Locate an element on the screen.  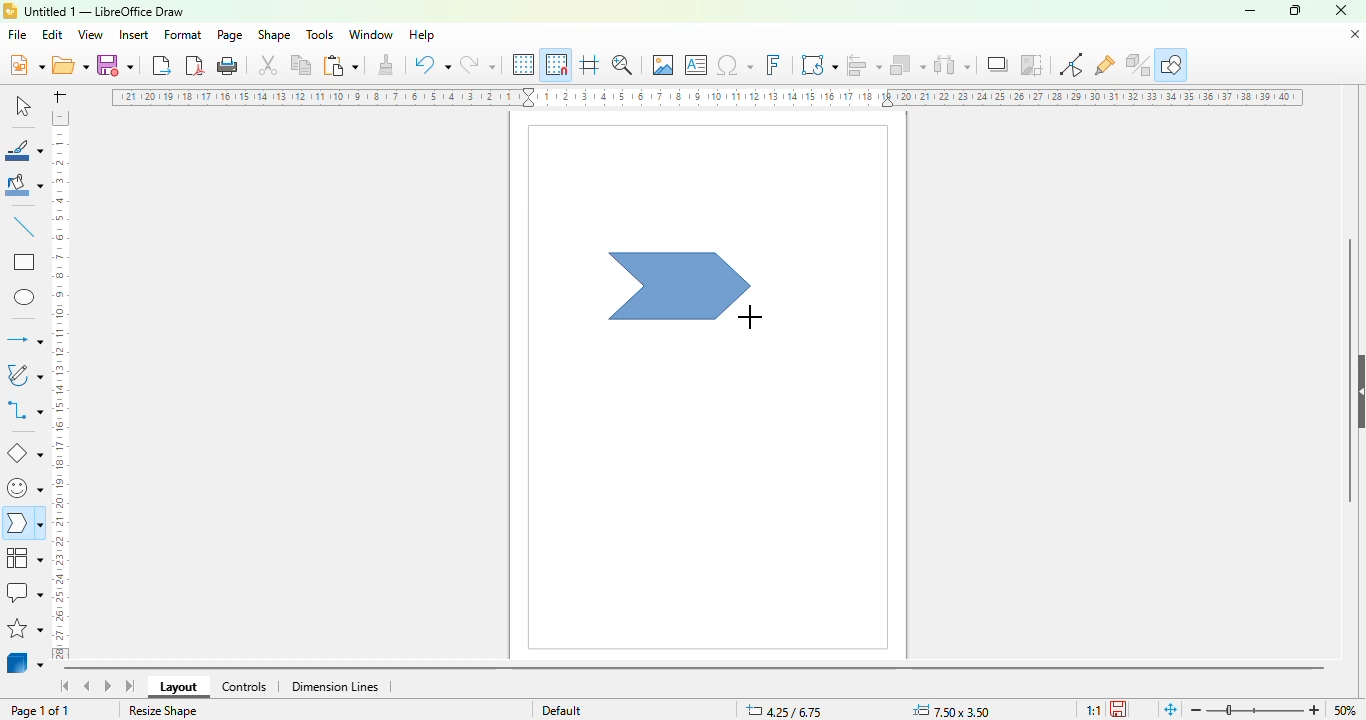
insert special characters is located at coordinates (735, 65).